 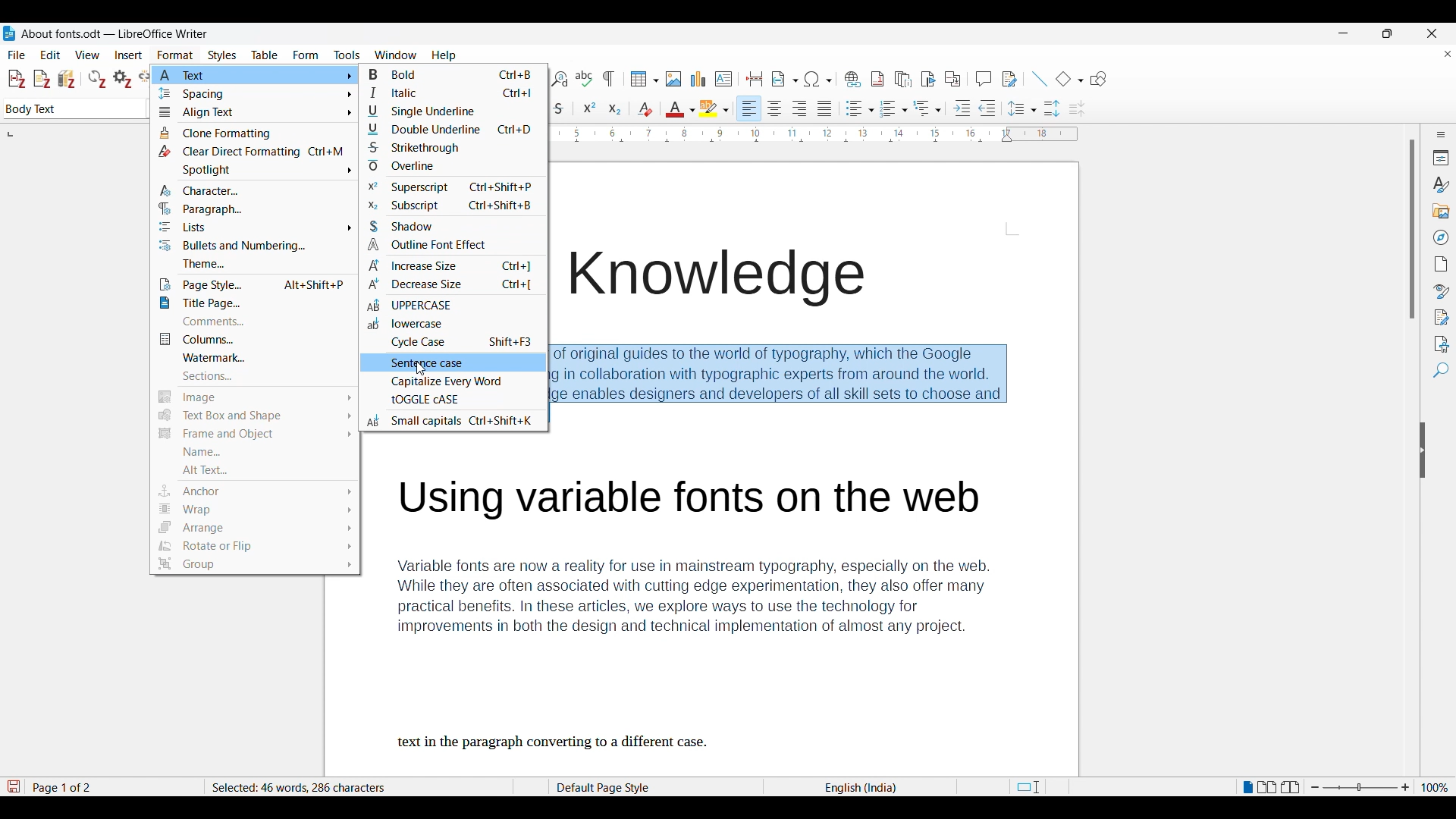 What do you see at coordinates (1448, 54) in the screenshot?
I see `Close document` at bounding box center [1448, 54].